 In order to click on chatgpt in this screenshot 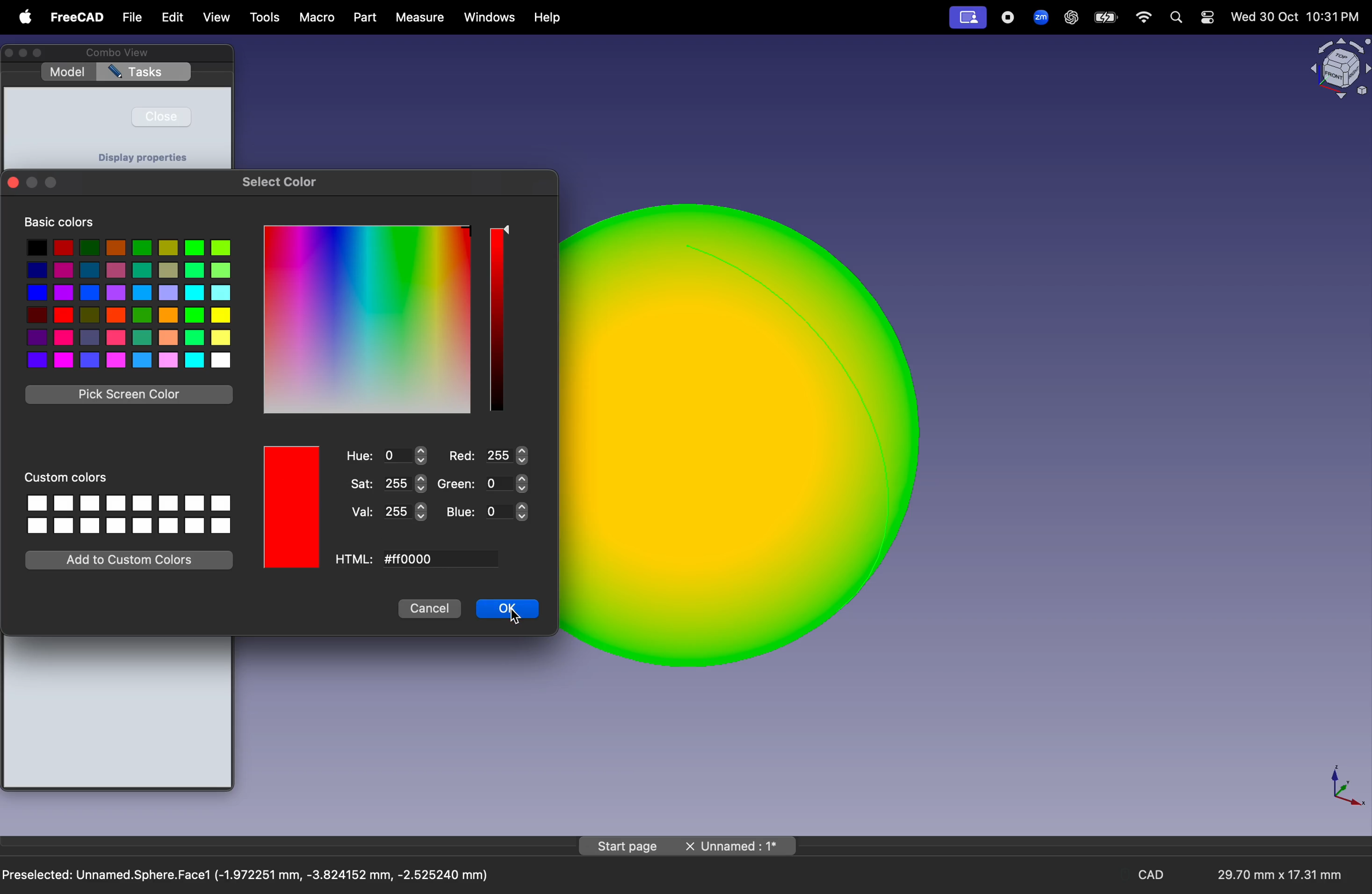, I will do `click(1071, 17)`.